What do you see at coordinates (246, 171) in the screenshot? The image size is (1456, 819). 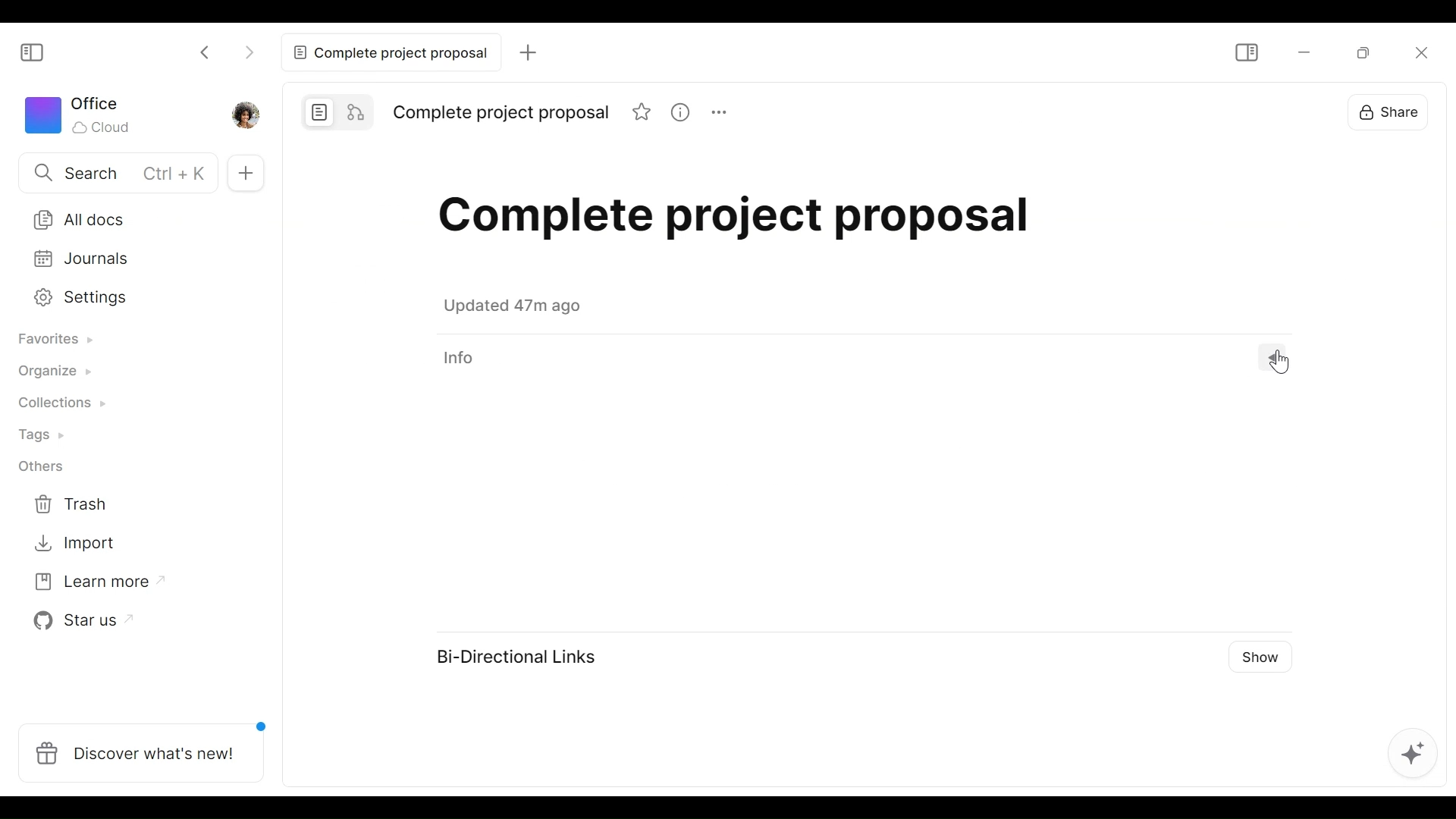 I see `Add Tab` at bounding box center [246, 171].